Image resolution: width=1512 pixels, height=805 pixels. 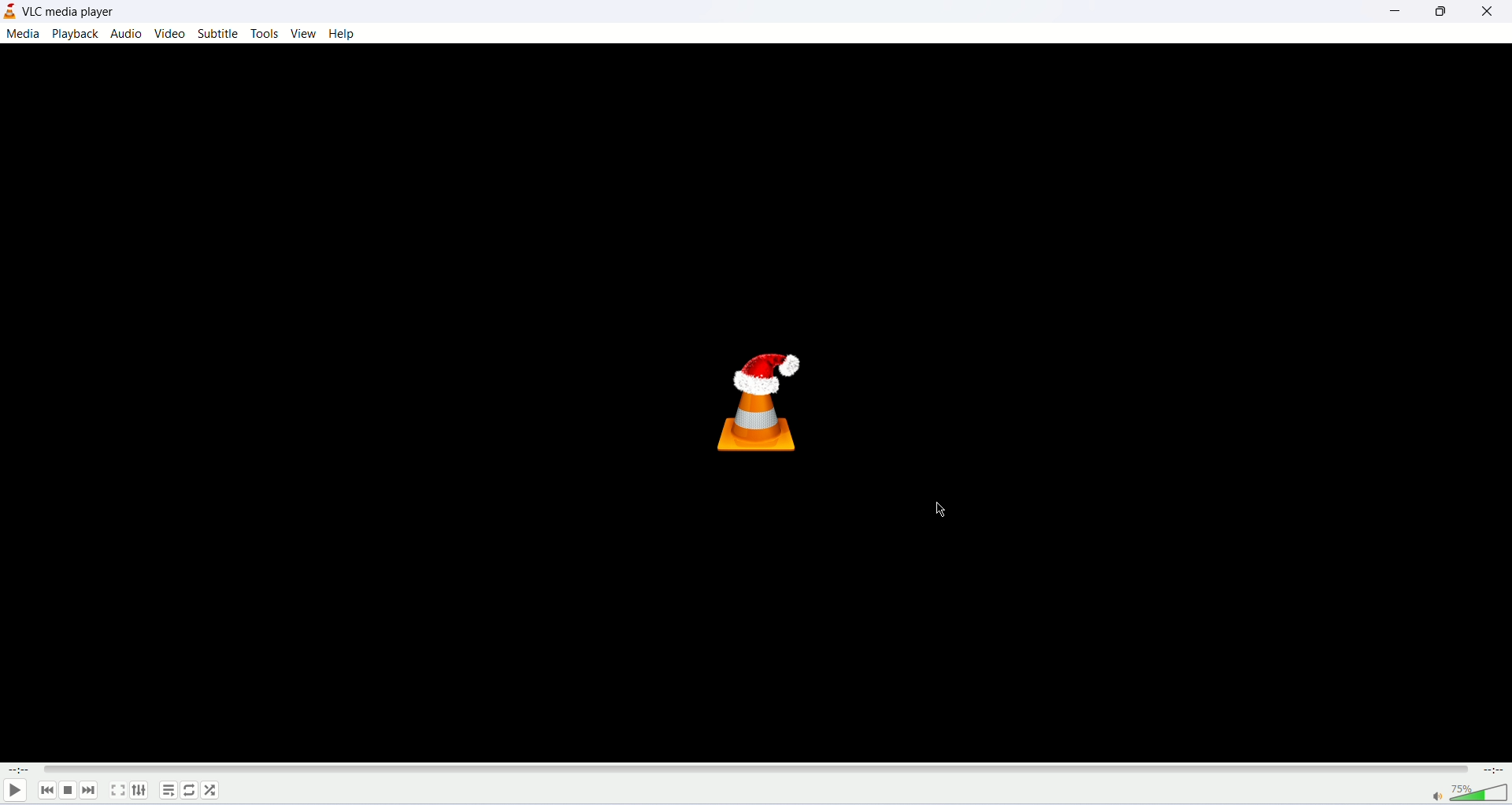 What do you see at coordinates (117, 790) in the screenshot?
I see `fullscreen` at bounding box center [117, 790].